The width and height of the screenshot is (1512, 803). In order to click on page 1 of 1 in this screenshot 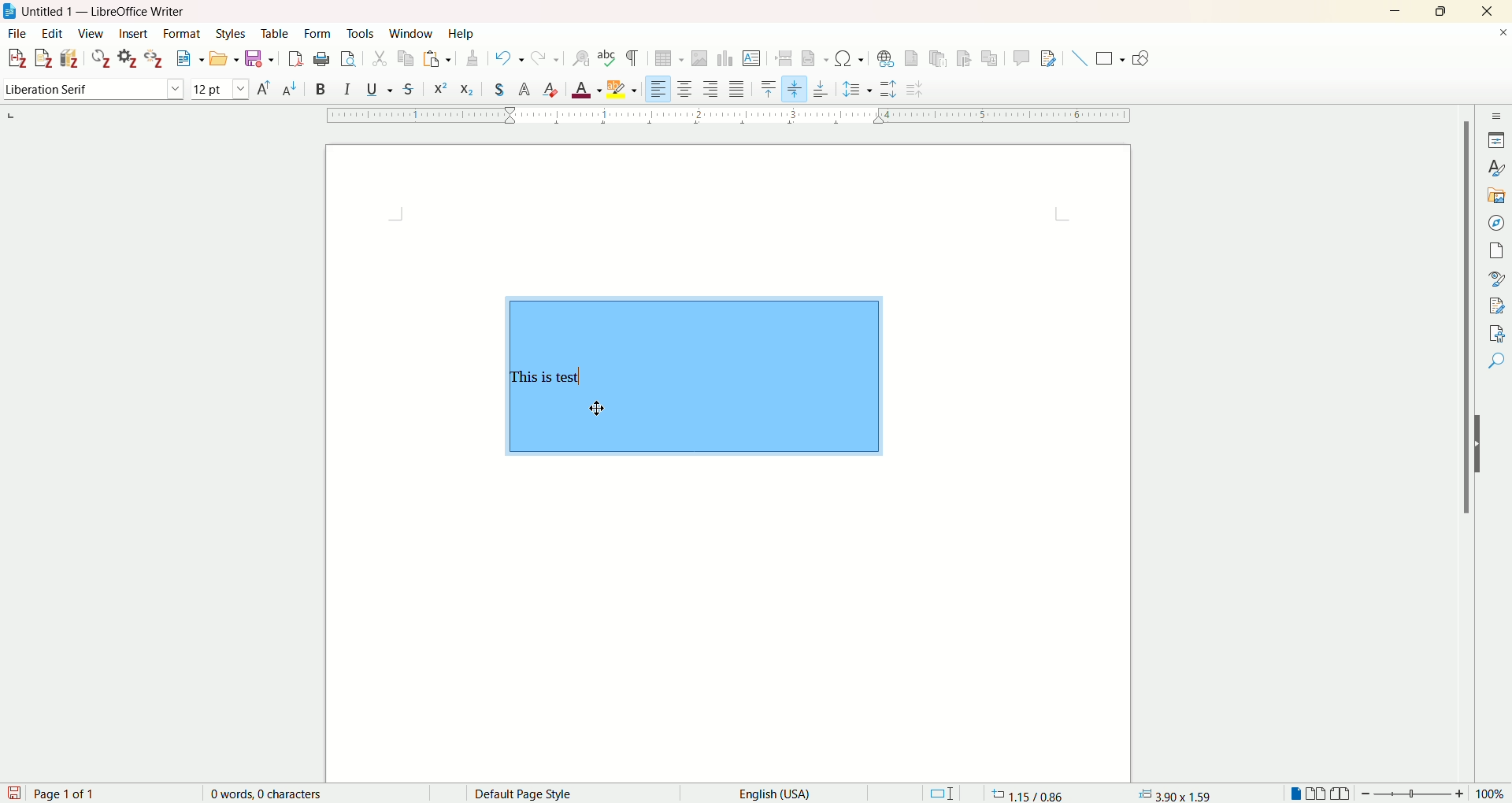, I will do `click(68, 793)`.